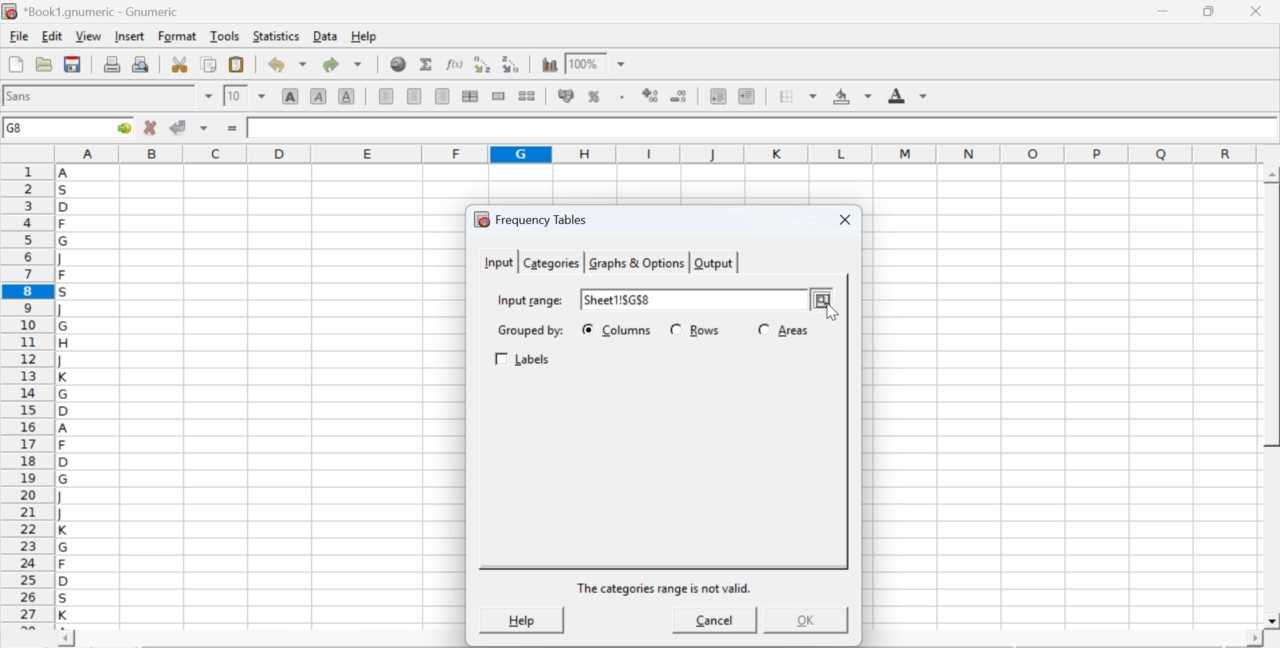 Image resolution: width=1280 pixels, height=648 pixels. I want to click on columns, so click(628, 330).